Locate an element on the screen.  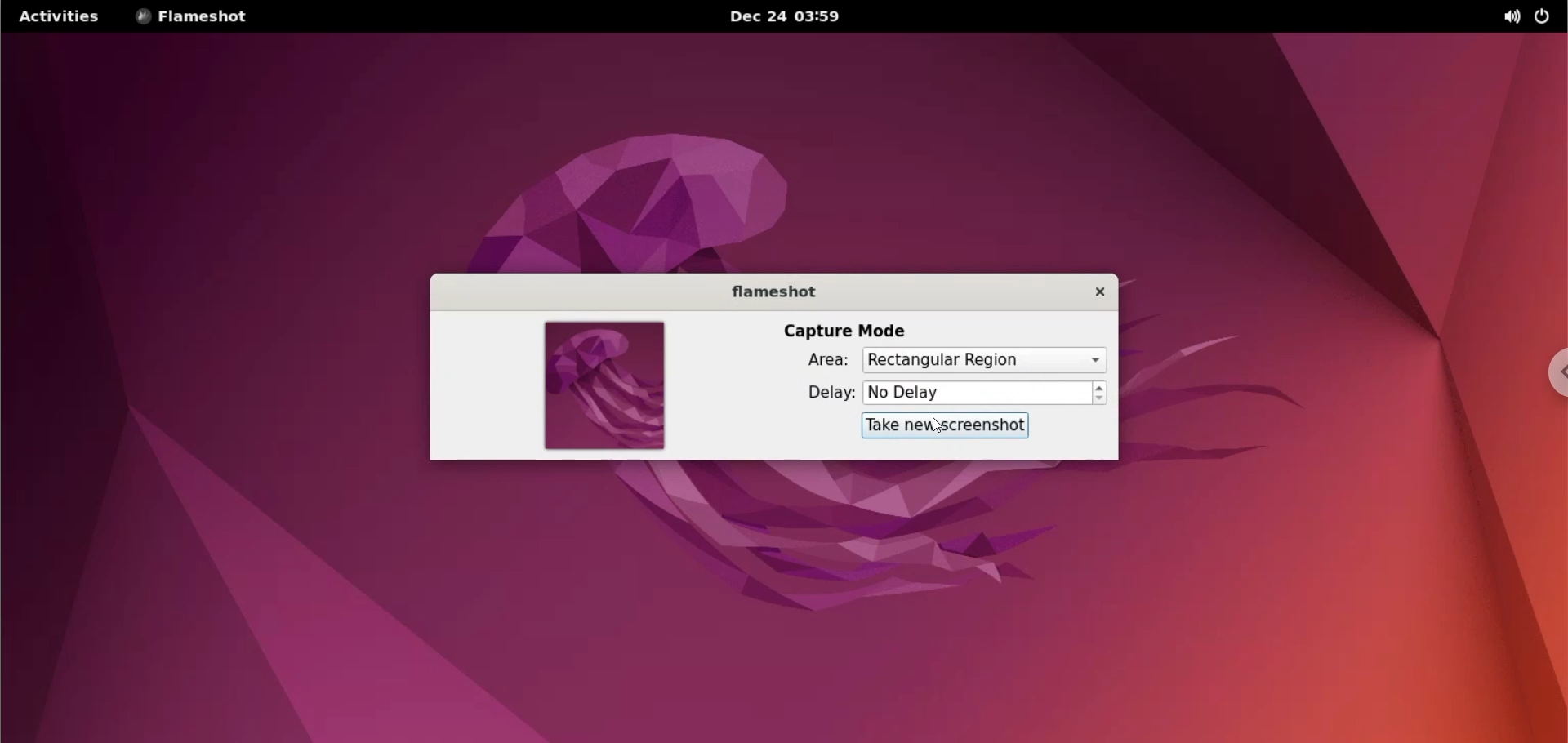
Date and time is located at coordinates (797, 17).